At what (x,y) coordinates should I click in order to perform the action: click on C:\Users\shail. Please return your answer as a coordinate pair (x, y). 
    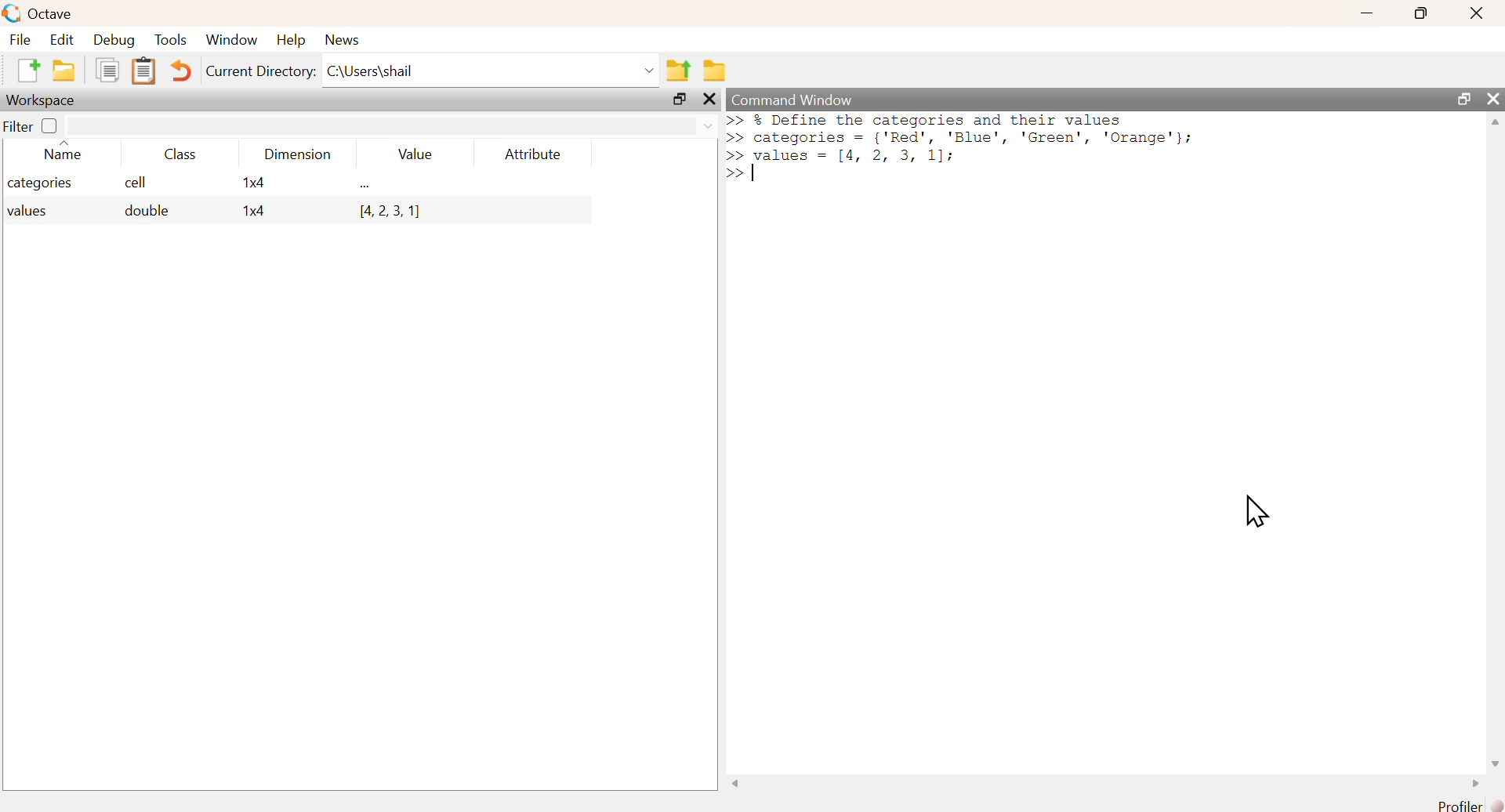
    Looking at the image, I should click on (371, 71).